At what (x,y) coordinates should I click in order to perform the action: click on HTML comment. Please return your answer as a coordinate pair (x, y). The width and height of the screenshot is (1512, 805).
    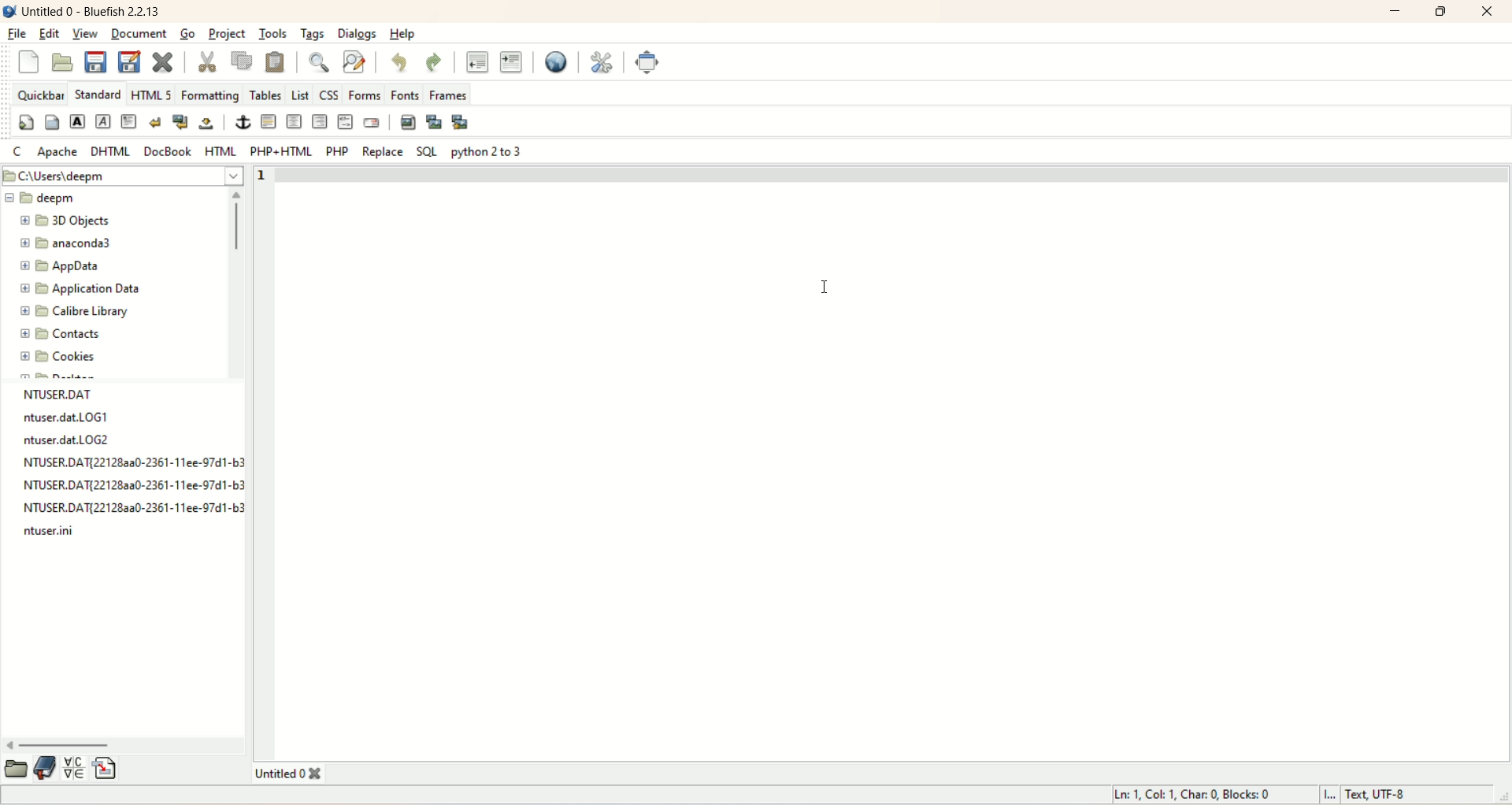
    Looking at the image, I should click on (343, 122).